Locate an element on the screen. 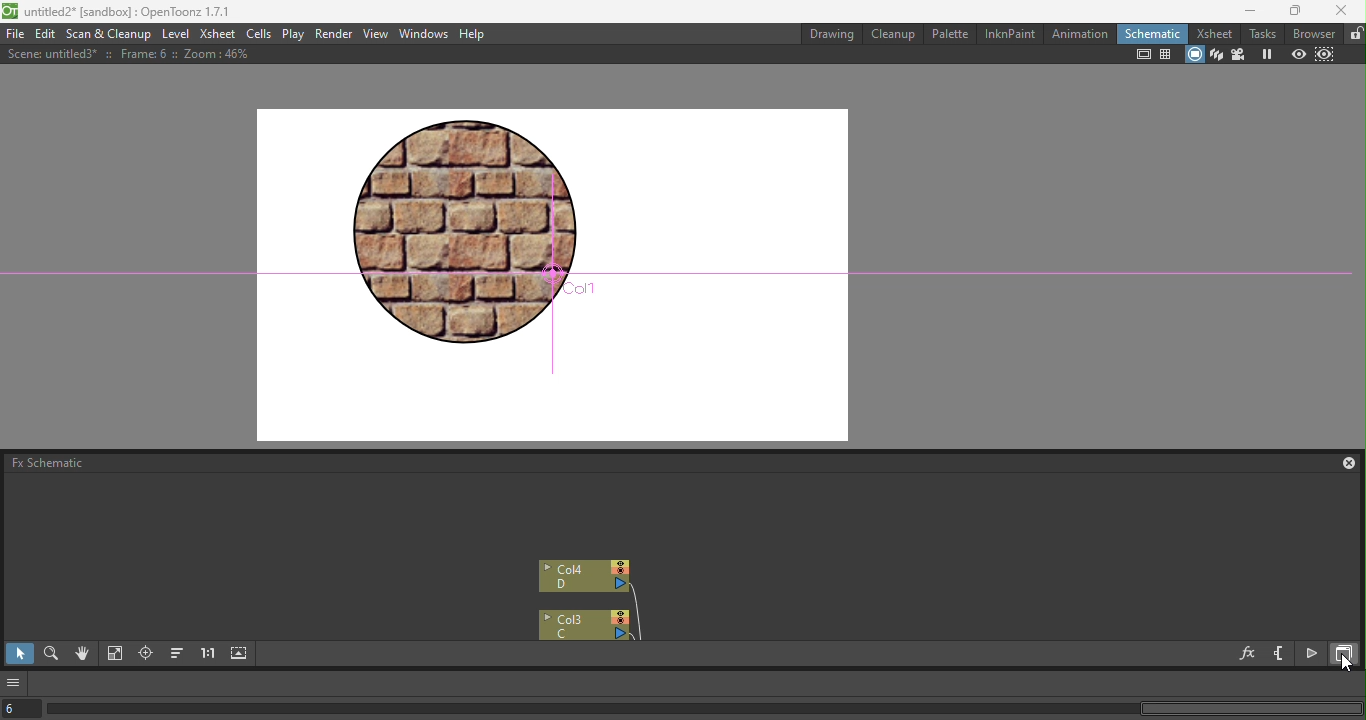  Fx schematic is located at coordinates (45, 462).